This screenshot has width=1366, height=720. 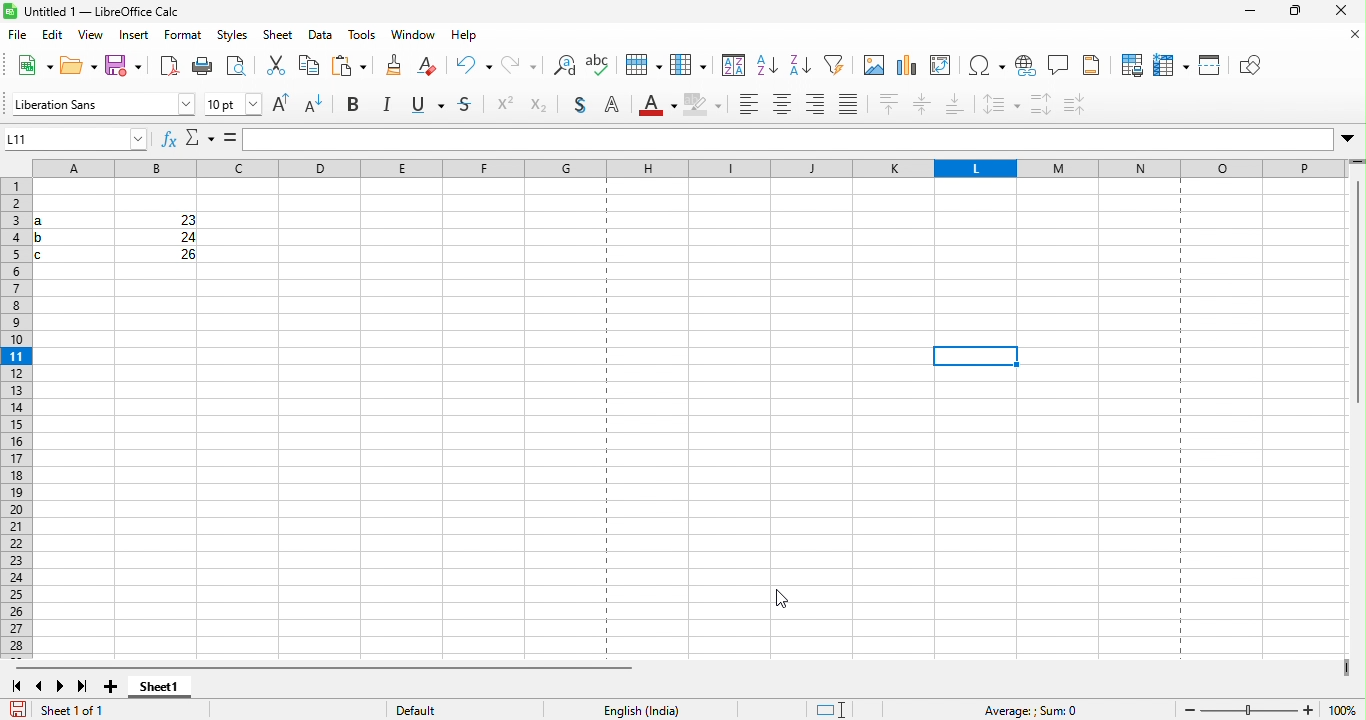 I want to click on chat, so click(x=870, y=67).